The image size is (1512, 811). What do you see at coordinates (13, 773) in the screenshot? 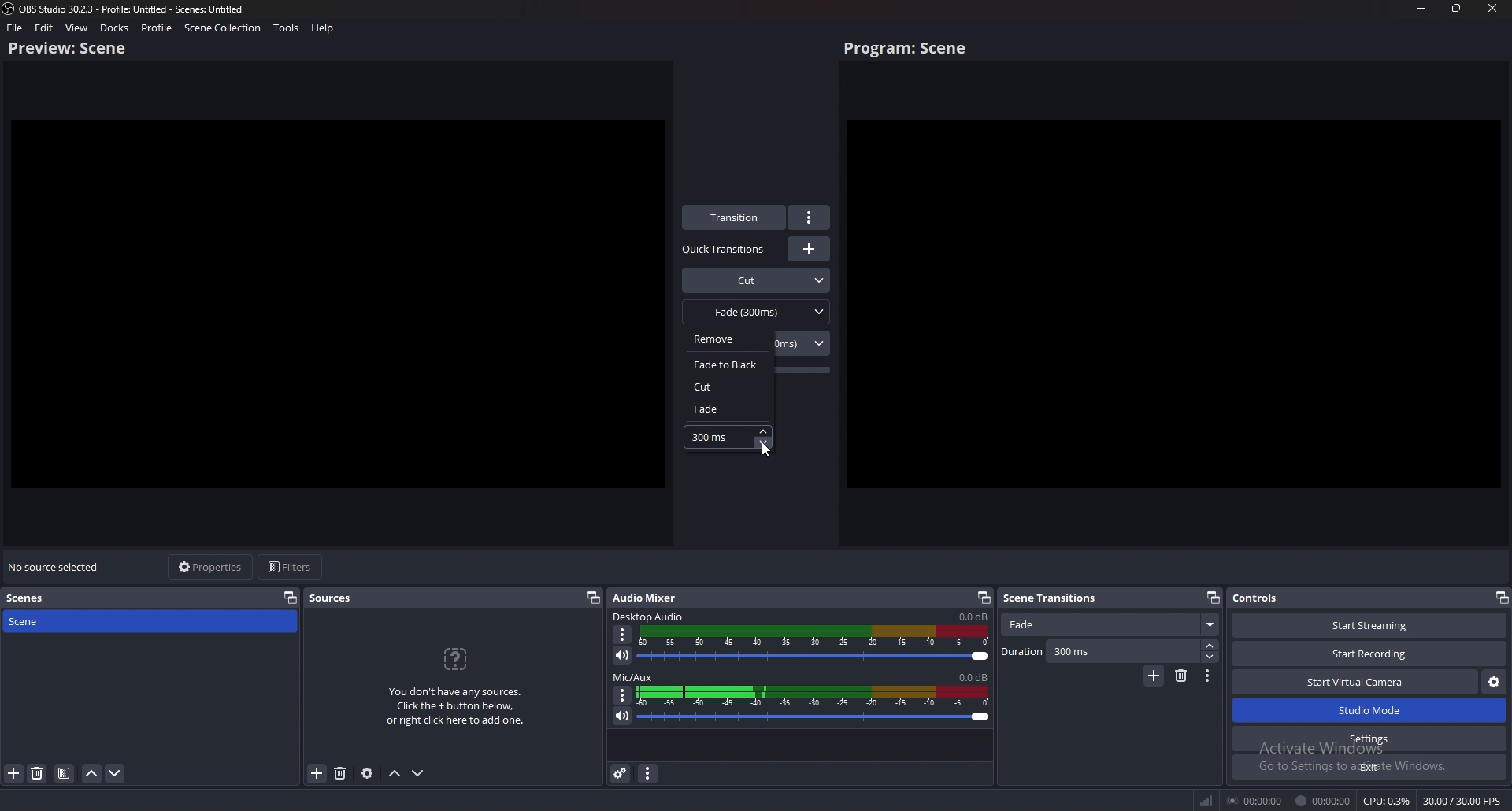
I see `add scene` at bounding box center [13, 773].